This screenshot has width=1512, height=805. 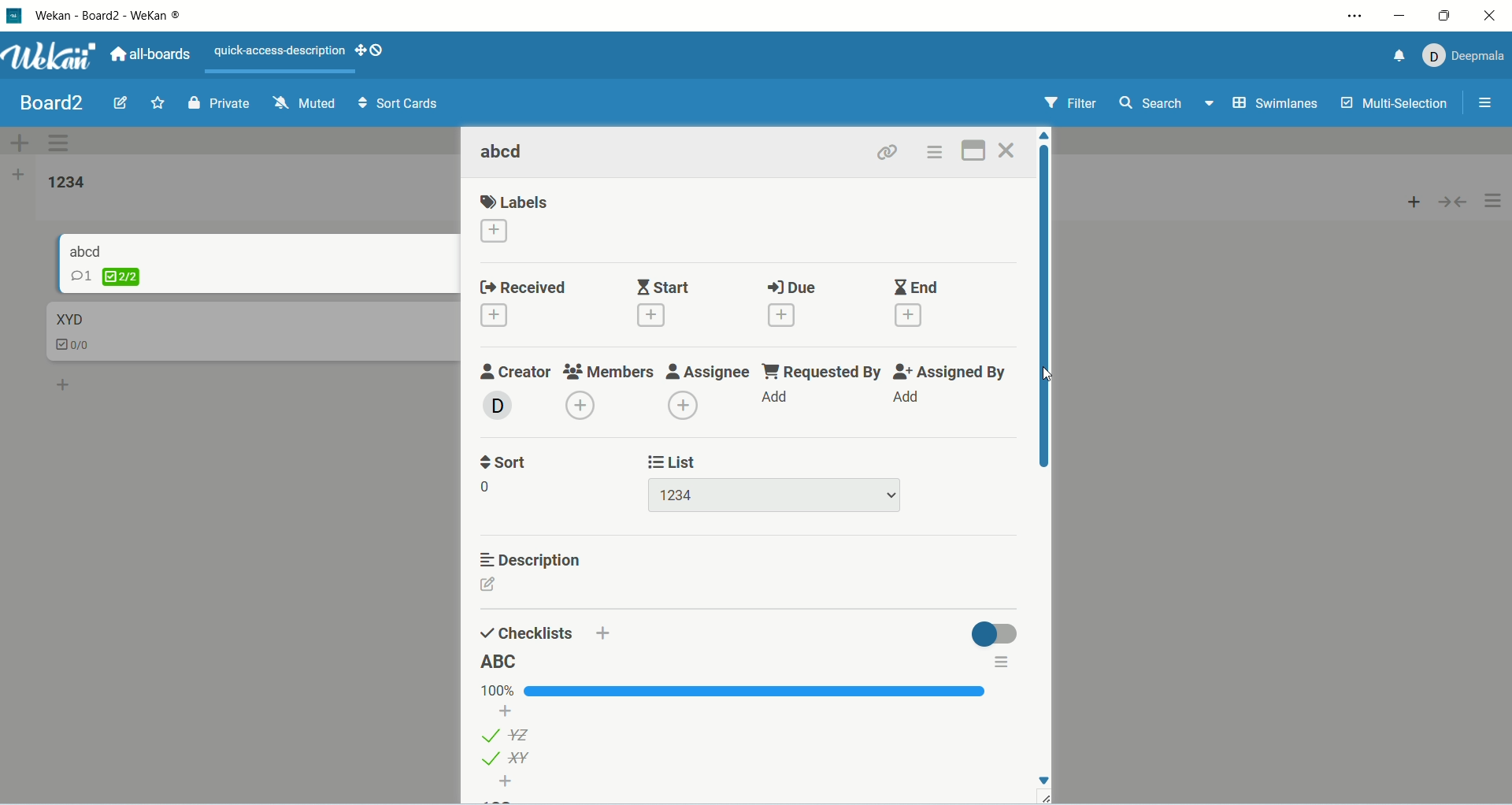 What do you see at coordinates (80, 347) in the screenshot?
I see `checklist` at bounding box center [80, 347].